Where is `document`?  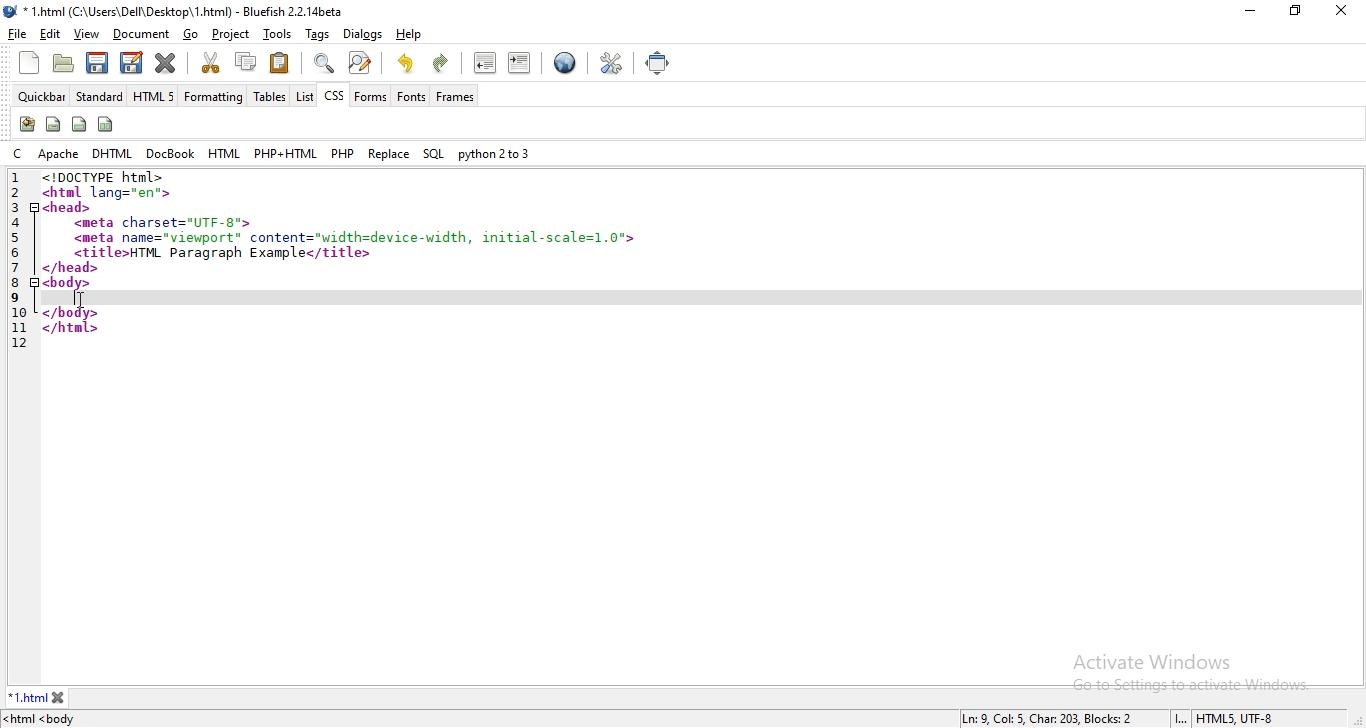
document is located at coordinates (139, 34).